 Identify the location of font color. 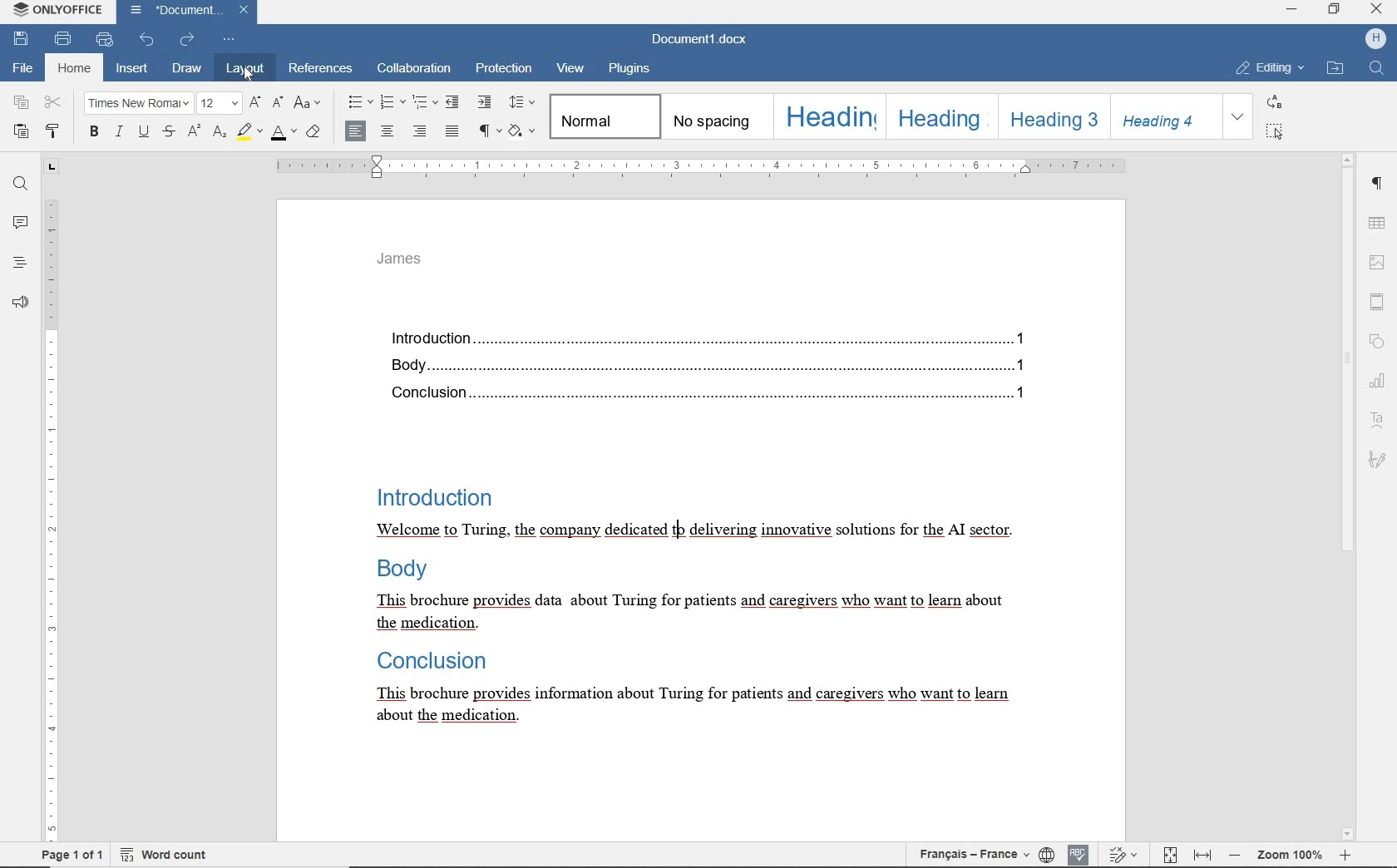
(283, 134).